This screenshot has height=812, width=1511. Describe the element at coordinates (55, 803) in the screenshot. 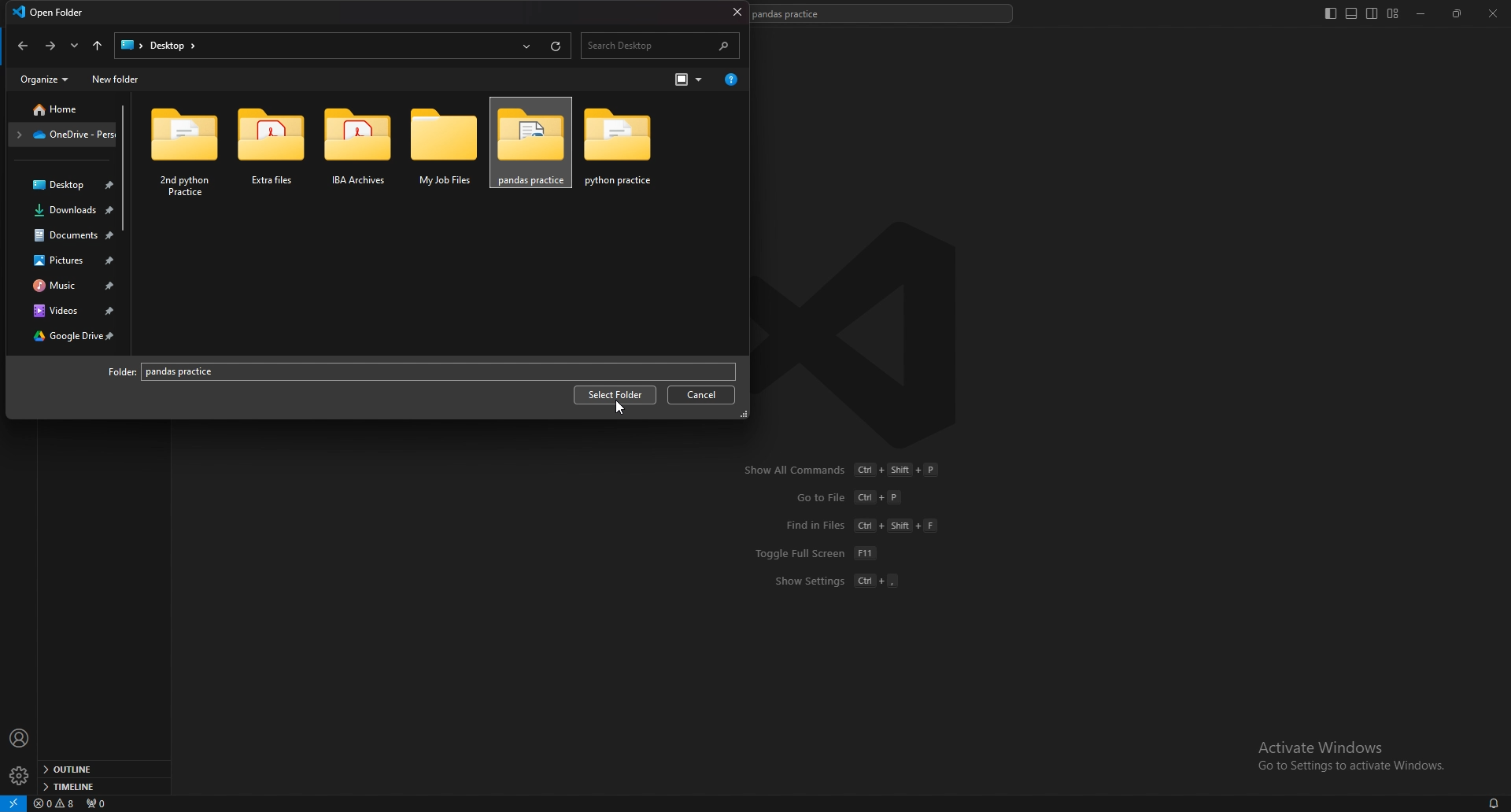

I see `warnings` at that location.